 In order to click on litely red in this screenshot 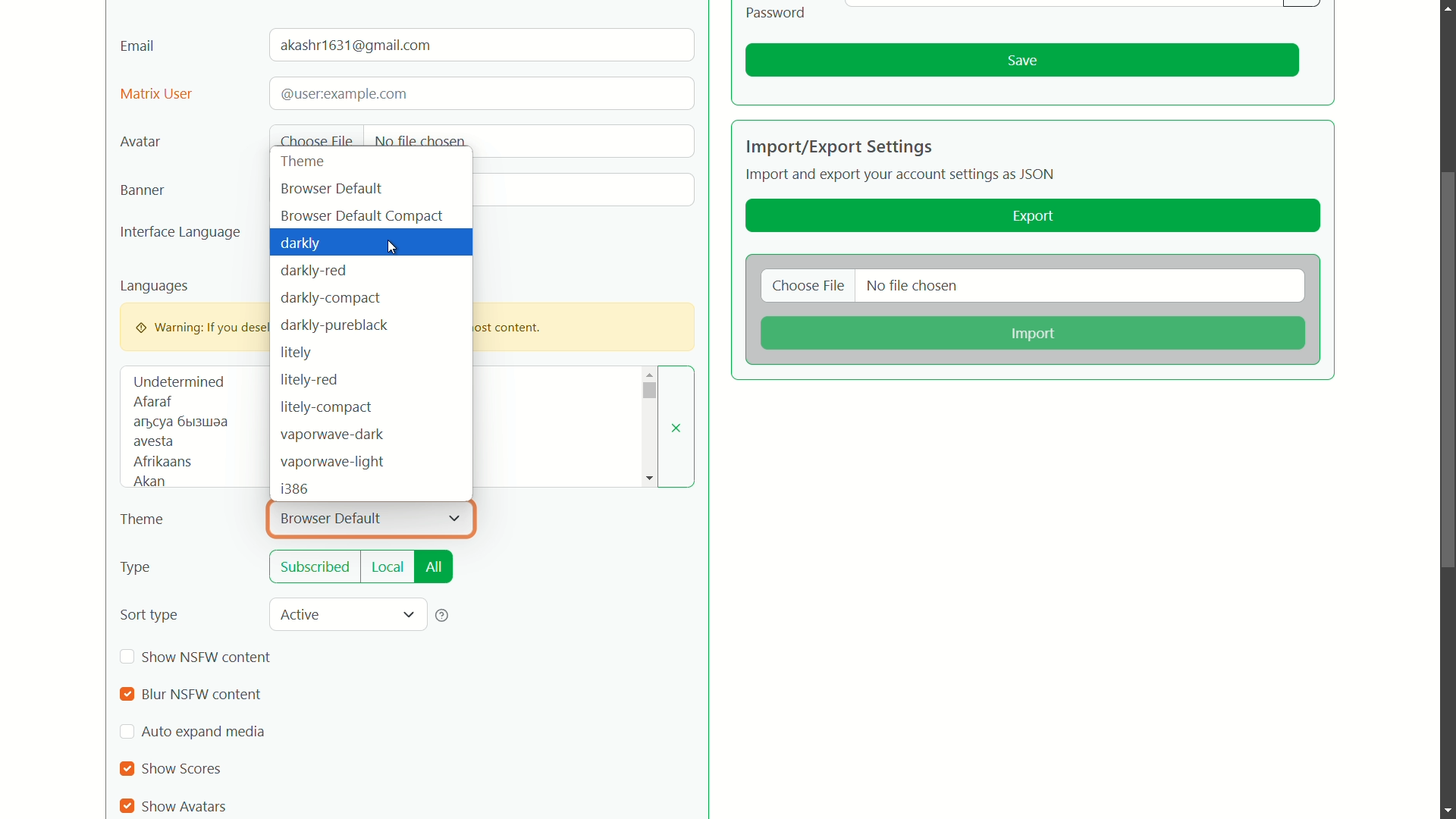, I will do `click(307, 381)`.